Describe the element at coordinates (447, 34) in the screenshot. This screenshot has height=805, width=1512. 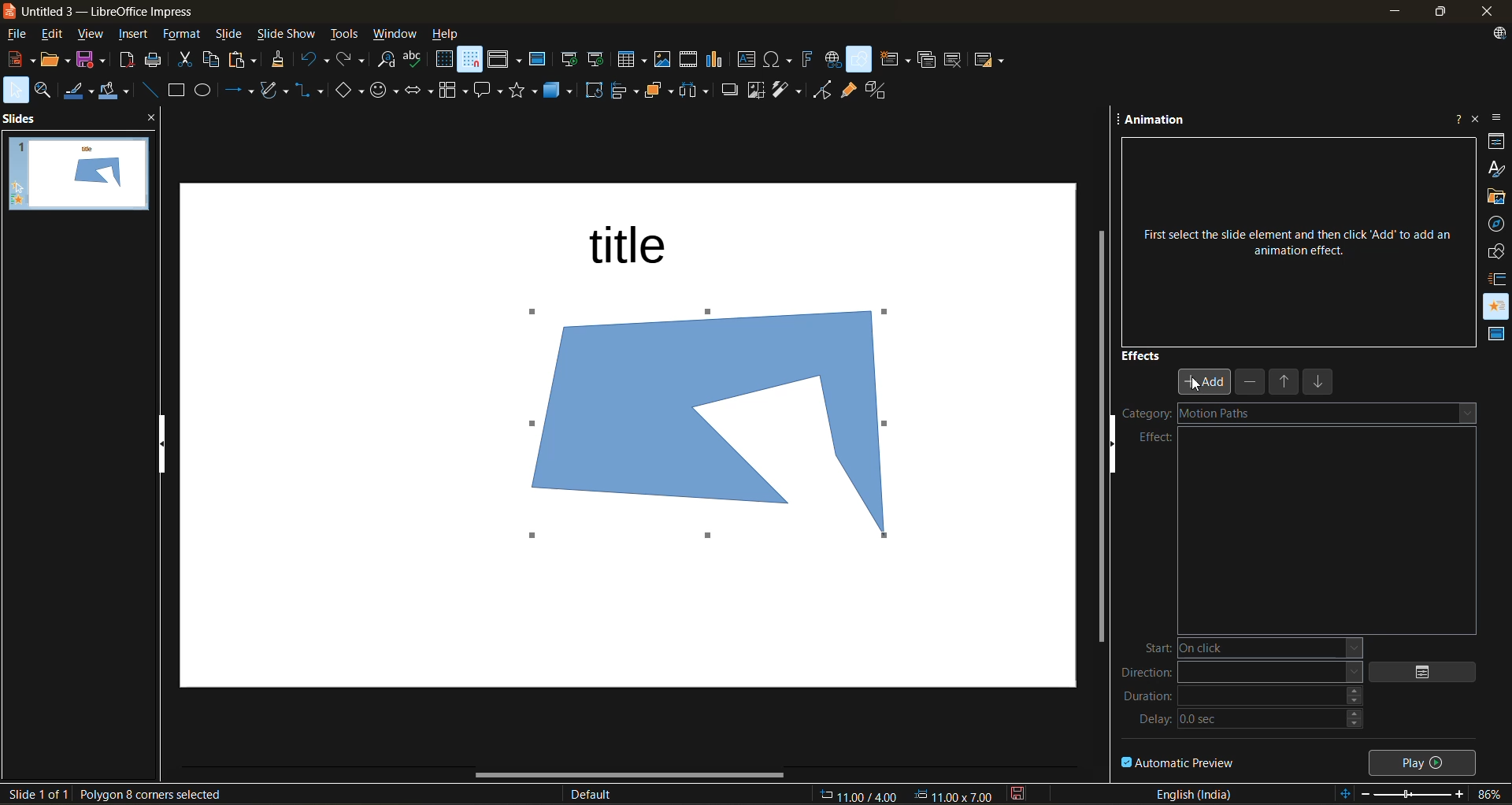
I see `help` at that location.